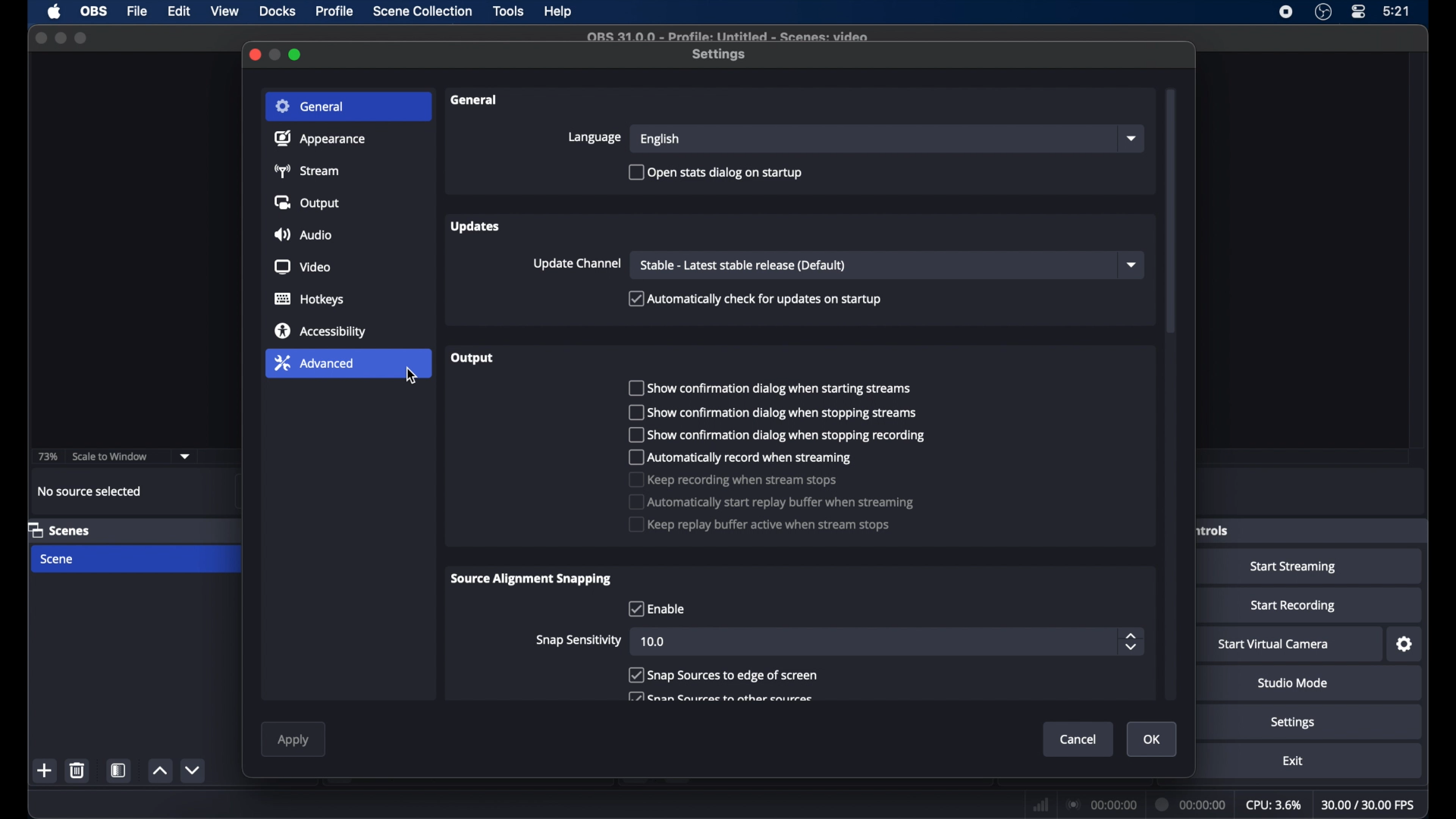  What do you see at coordinates (657, 608) in the screenshot?
I see `enable` at bounding box center [657, 608].